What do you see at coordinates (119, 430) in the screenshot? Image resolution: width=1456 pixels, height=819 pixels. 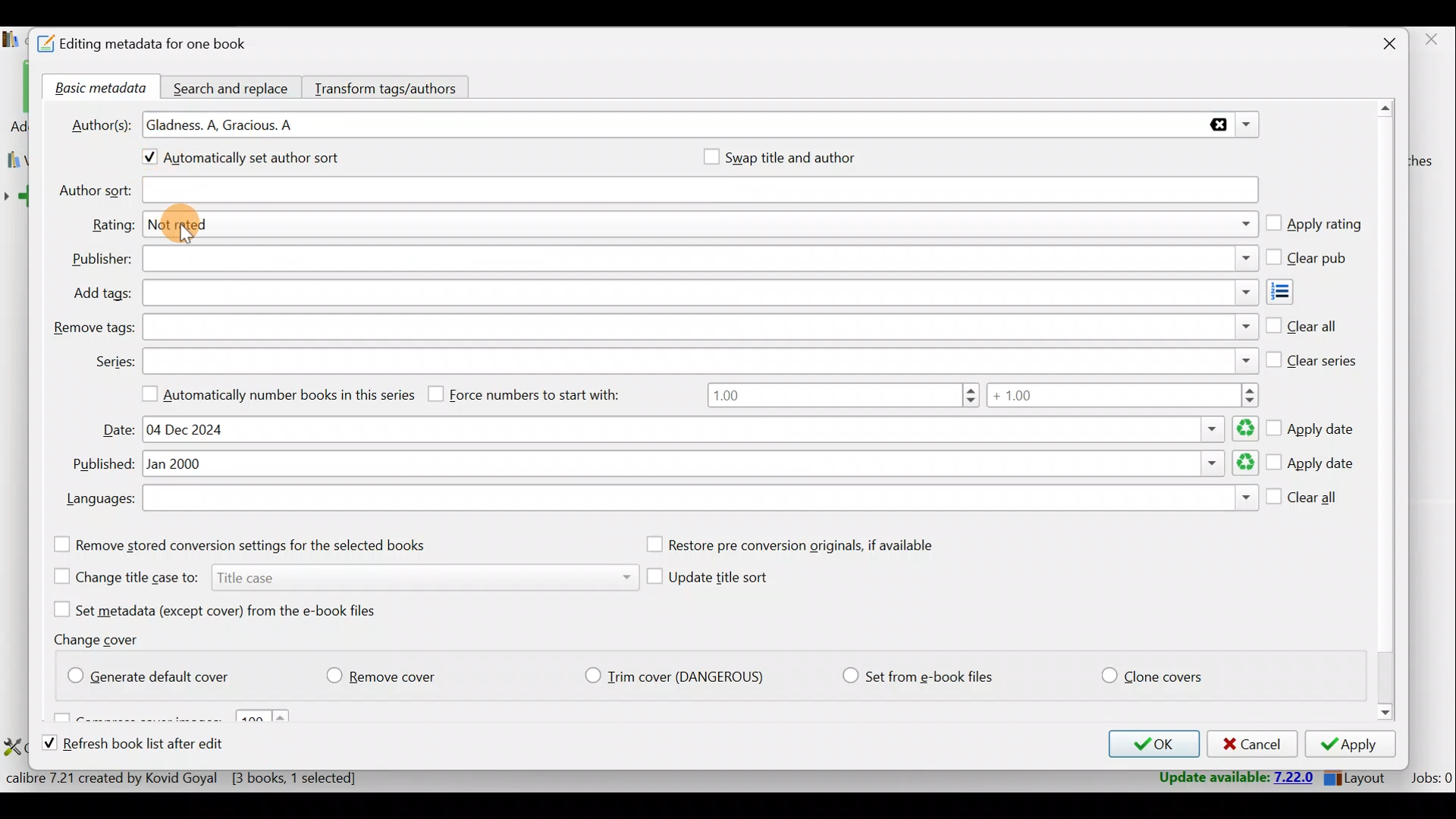 I see `Date:` at bounding box center [119, 430].